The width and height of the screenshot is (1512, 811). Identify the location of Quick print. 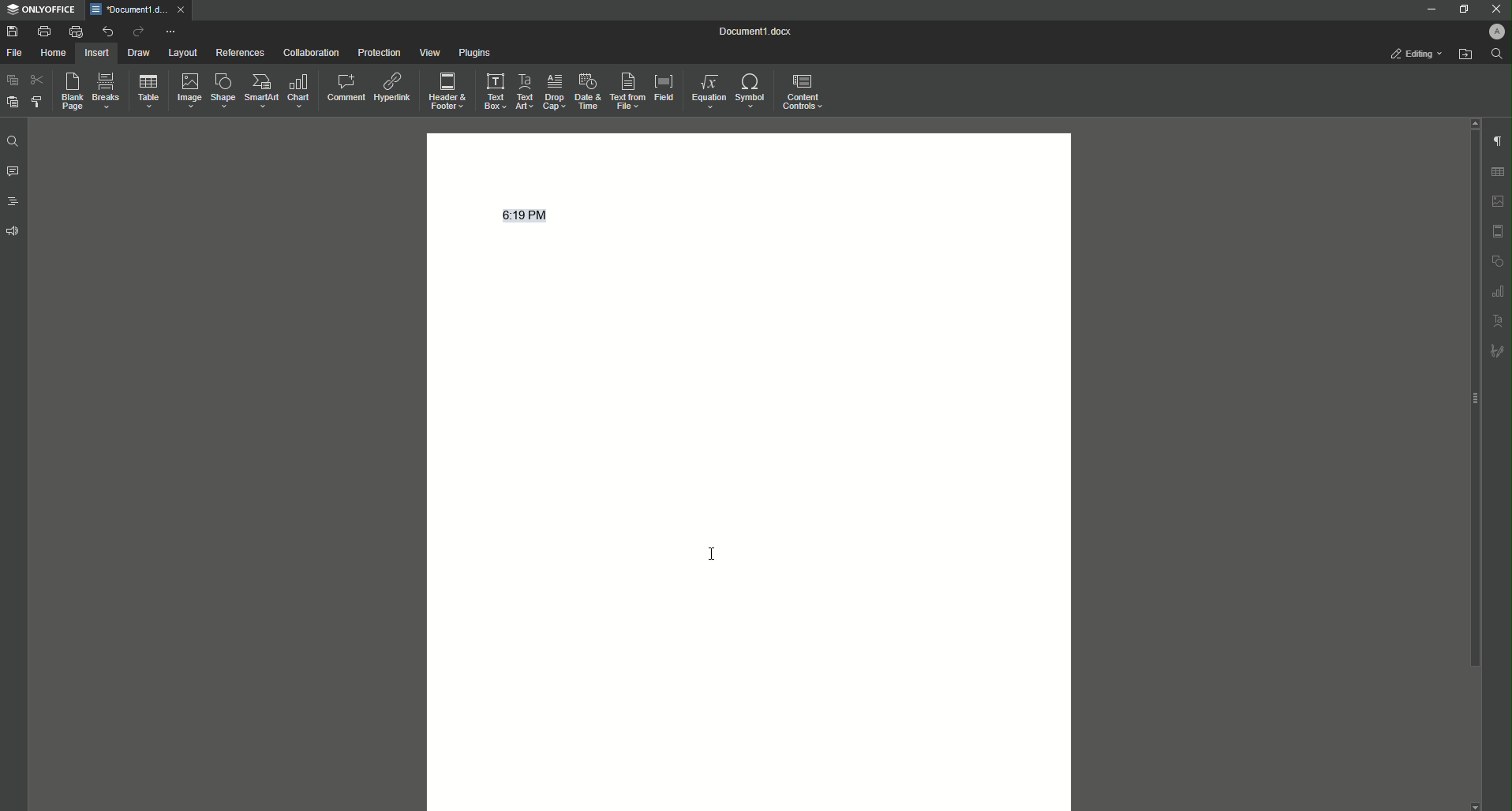
(75, 32).